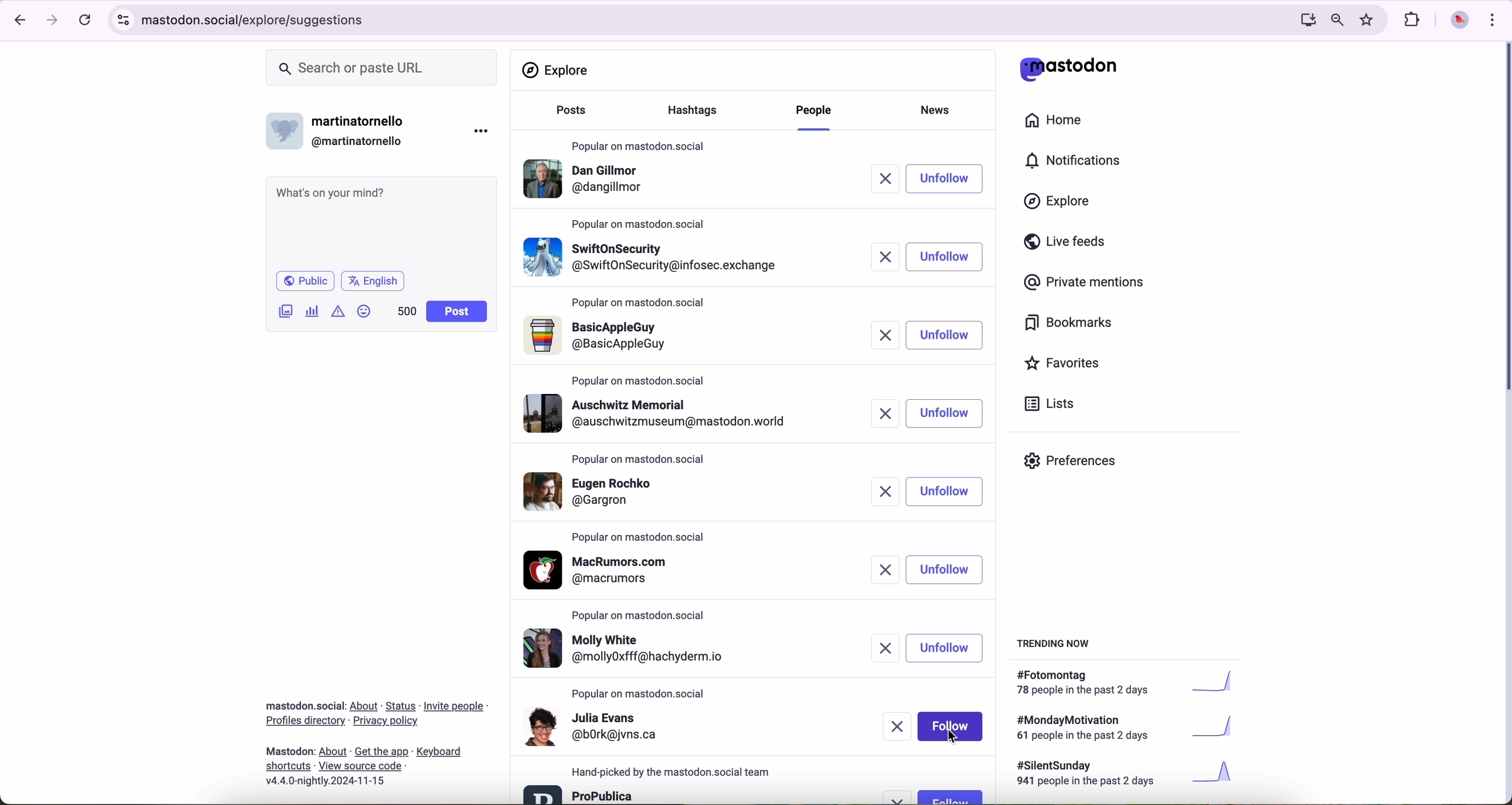  I want to click on follow button, so click(950, 796).